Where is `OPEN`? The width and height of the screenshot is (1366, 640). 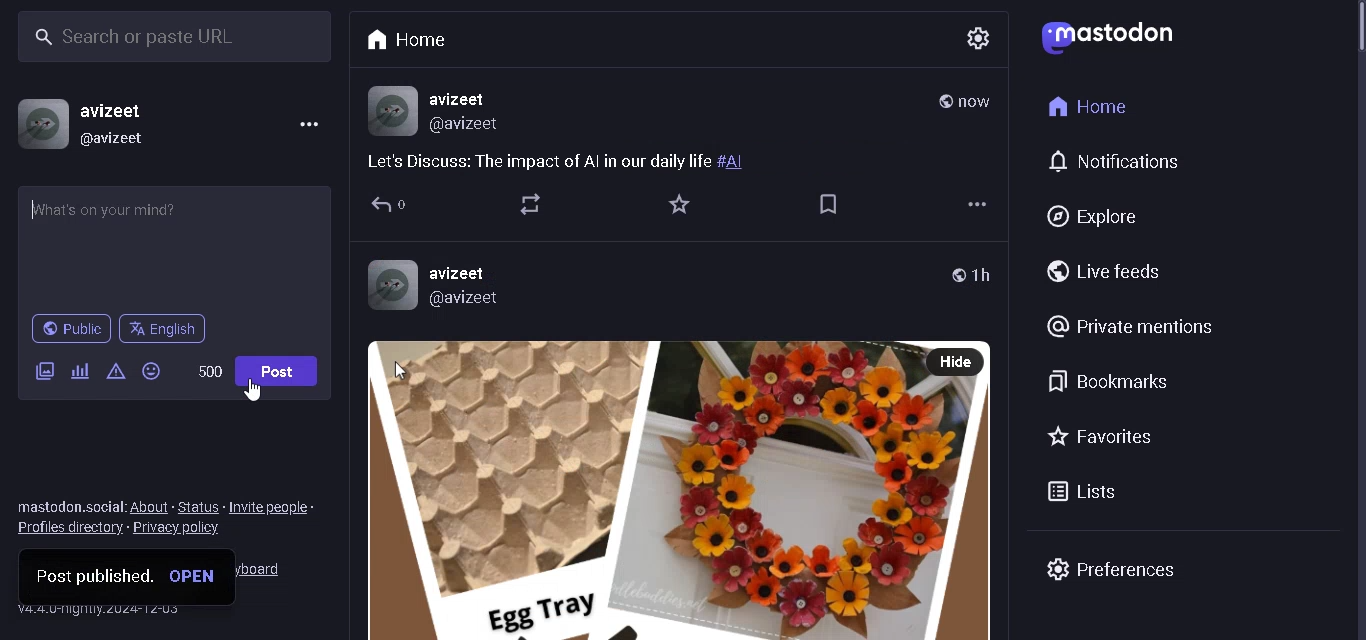 OPEN is located at coordinates (197, 575).